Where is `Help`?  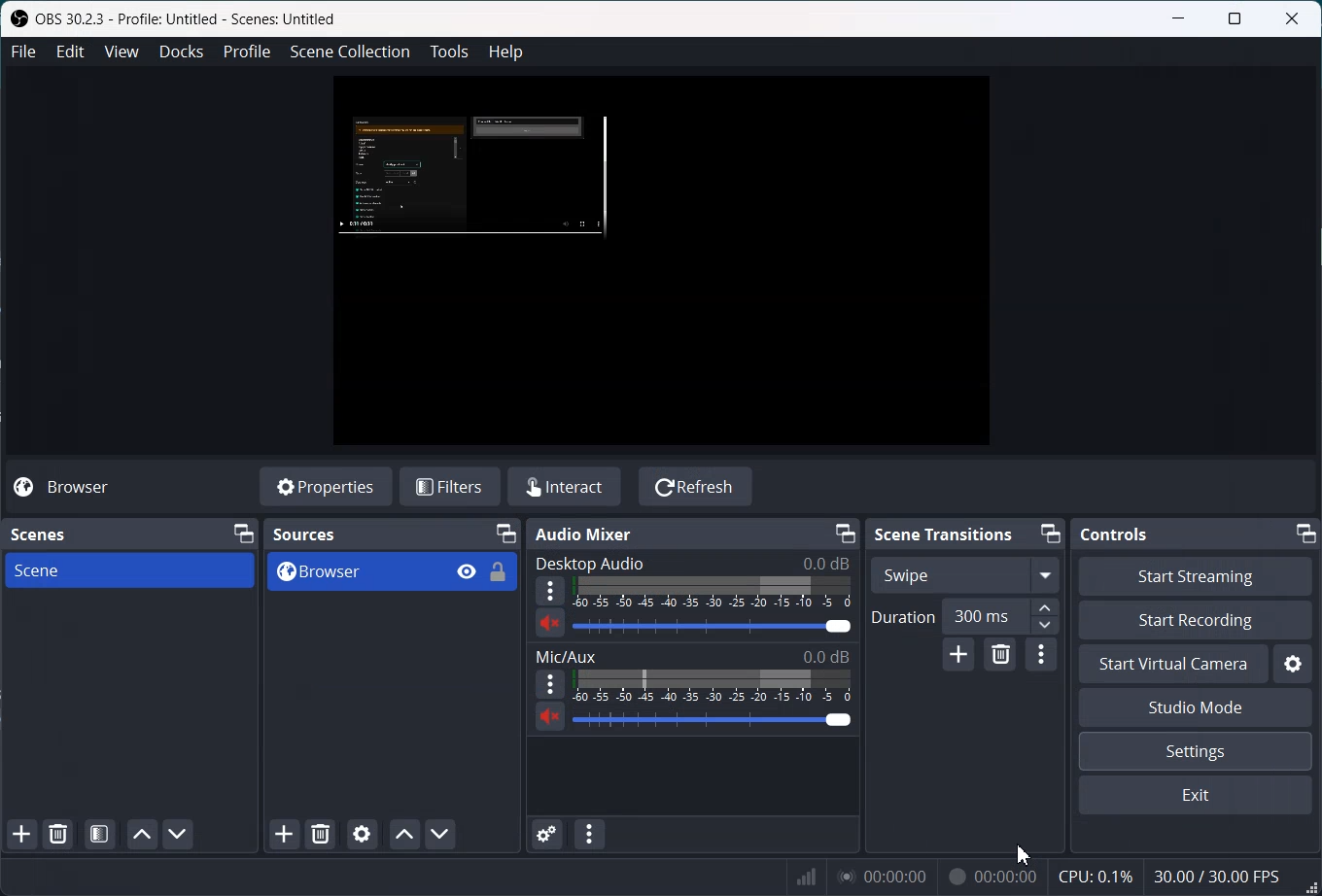
Help is located at coordinates (506, 52).